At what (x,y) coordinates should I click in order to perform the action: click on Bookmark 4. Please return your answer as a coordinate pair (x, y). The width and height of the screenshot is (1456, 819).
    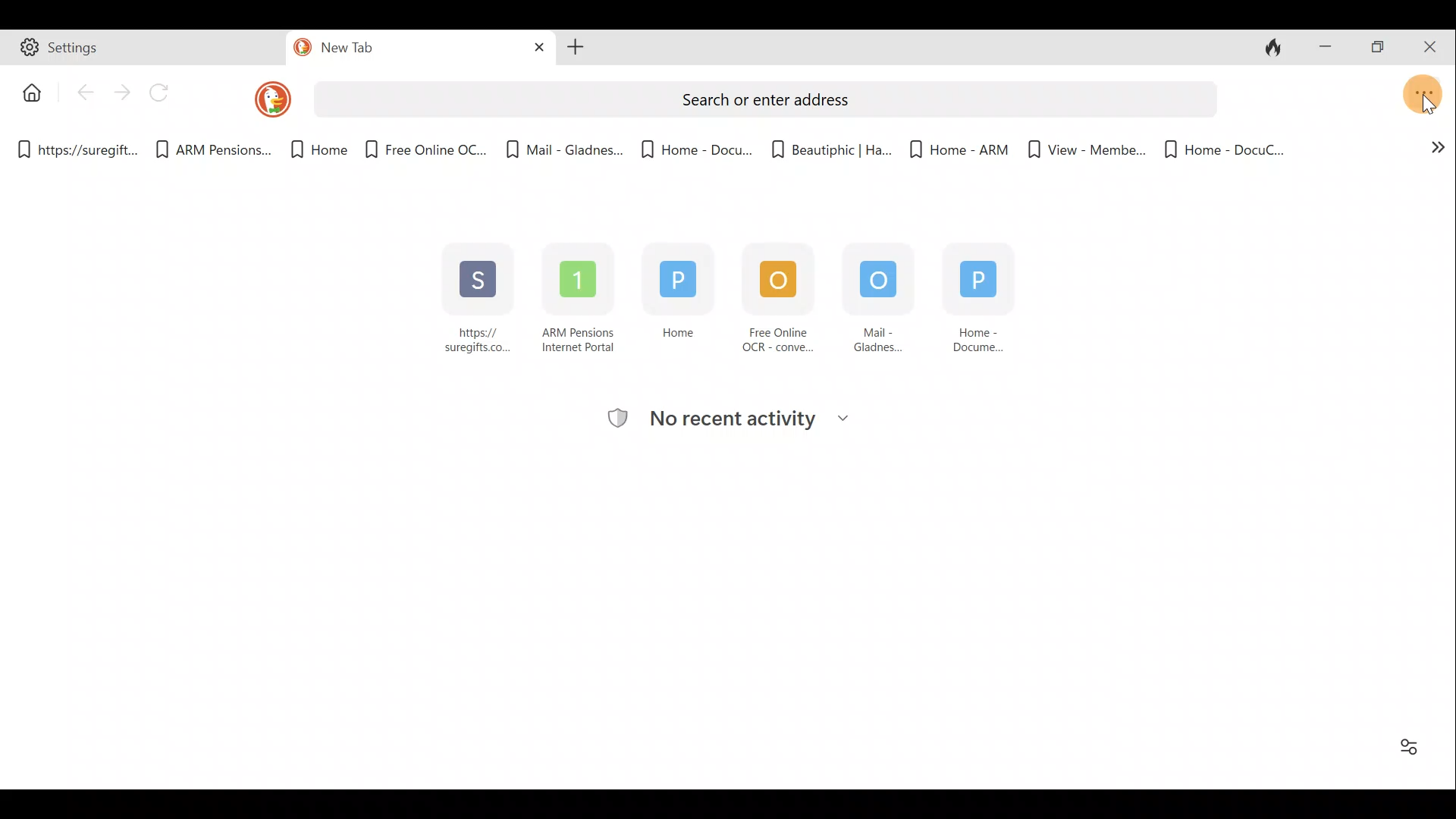
    Looking at the image, I should click on (422, 149).